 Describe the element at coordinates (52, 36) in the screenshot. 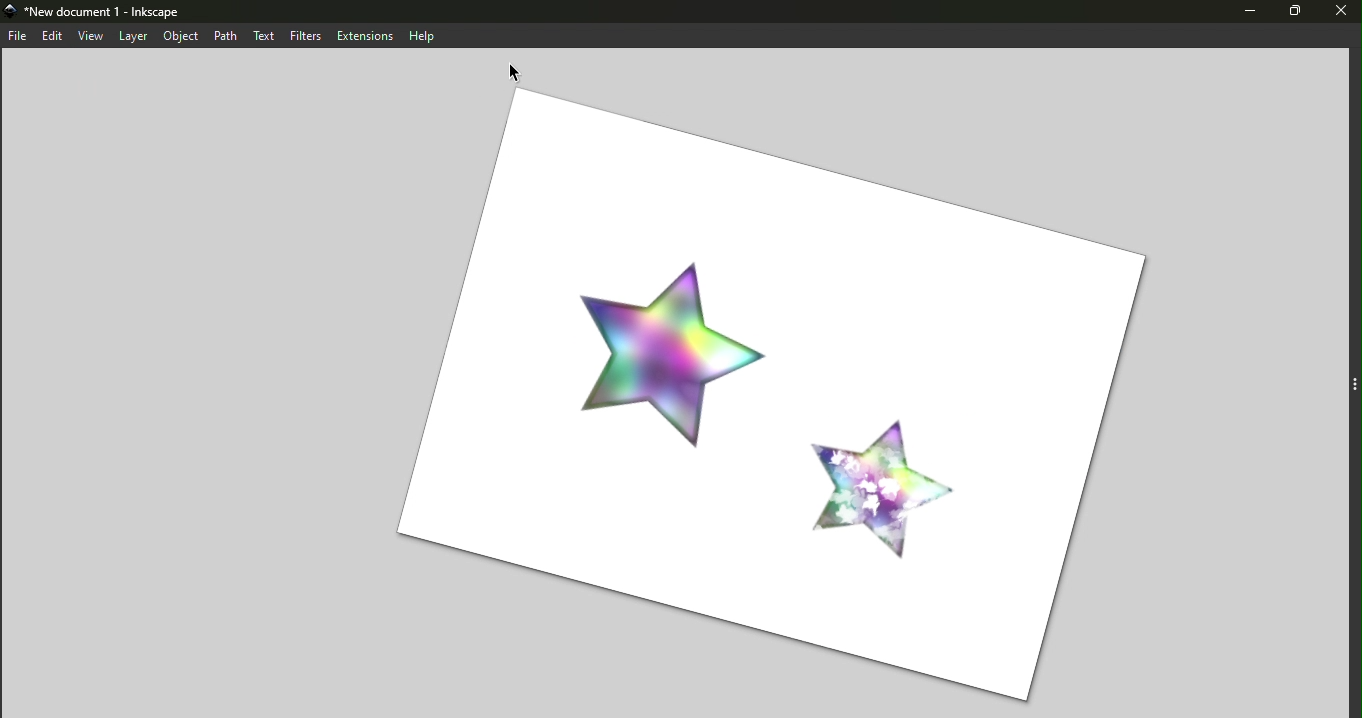

I see `Edit` at that location.